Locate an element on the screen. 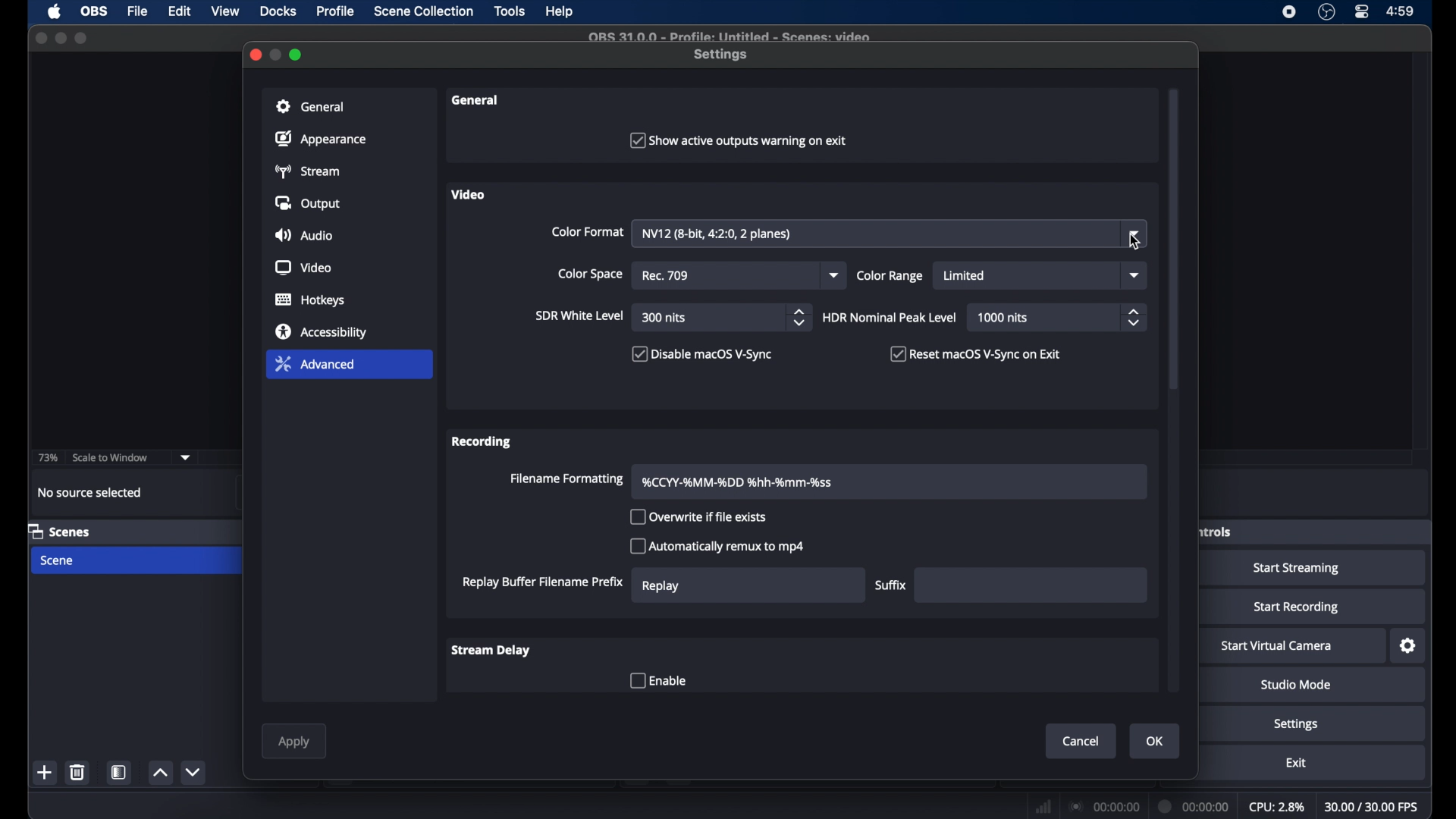 The image size is (1456, 819). ok is located at coordinates (1156, 742).